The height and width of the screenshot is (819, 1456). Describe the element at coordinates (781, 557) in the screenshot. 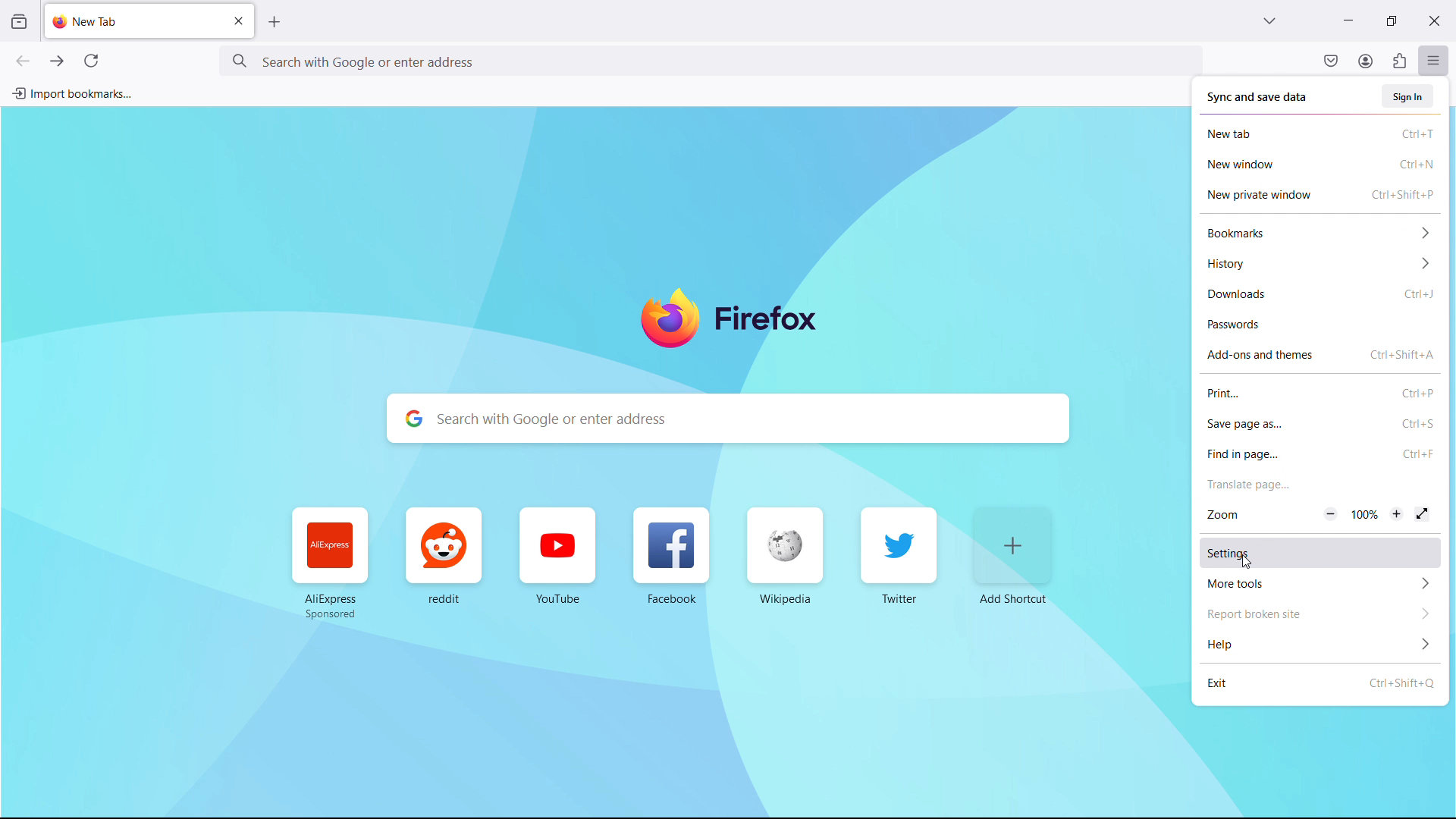

I see `Wikipedia` at that location.